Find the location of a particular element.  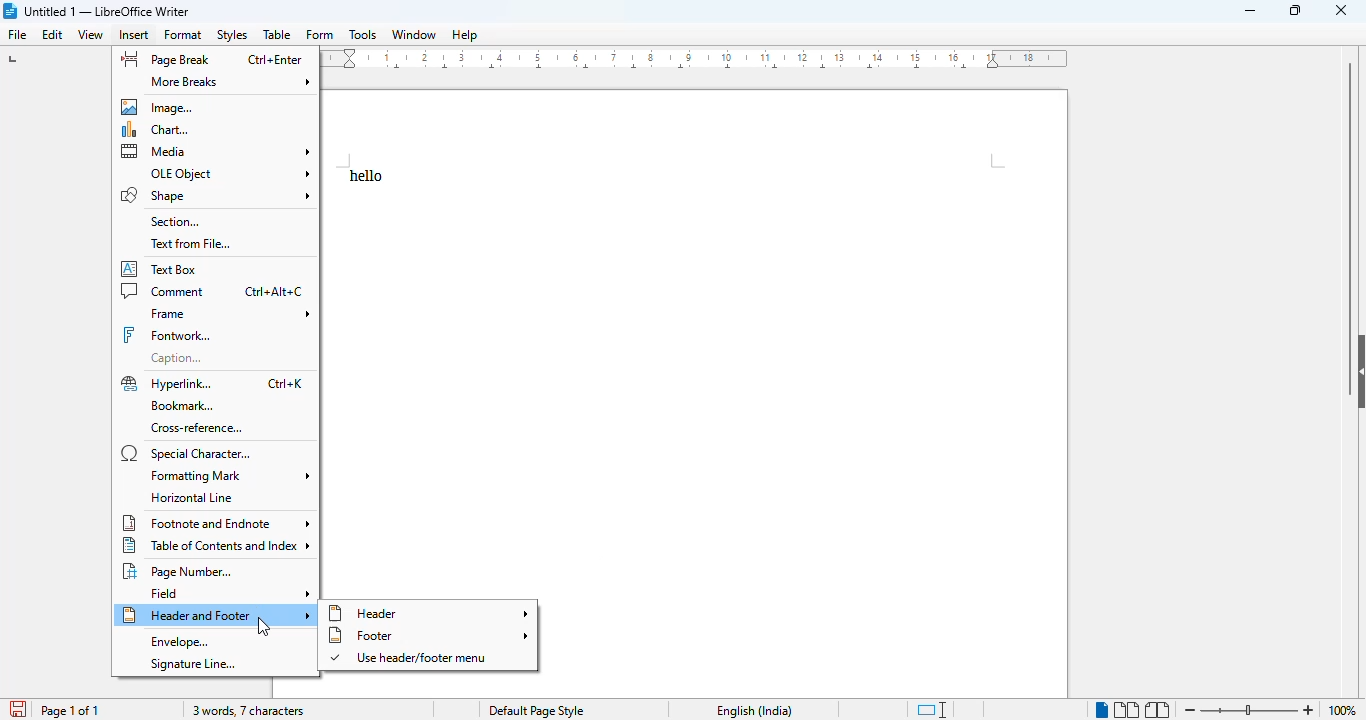

page break is located at coordinates (166, 59).